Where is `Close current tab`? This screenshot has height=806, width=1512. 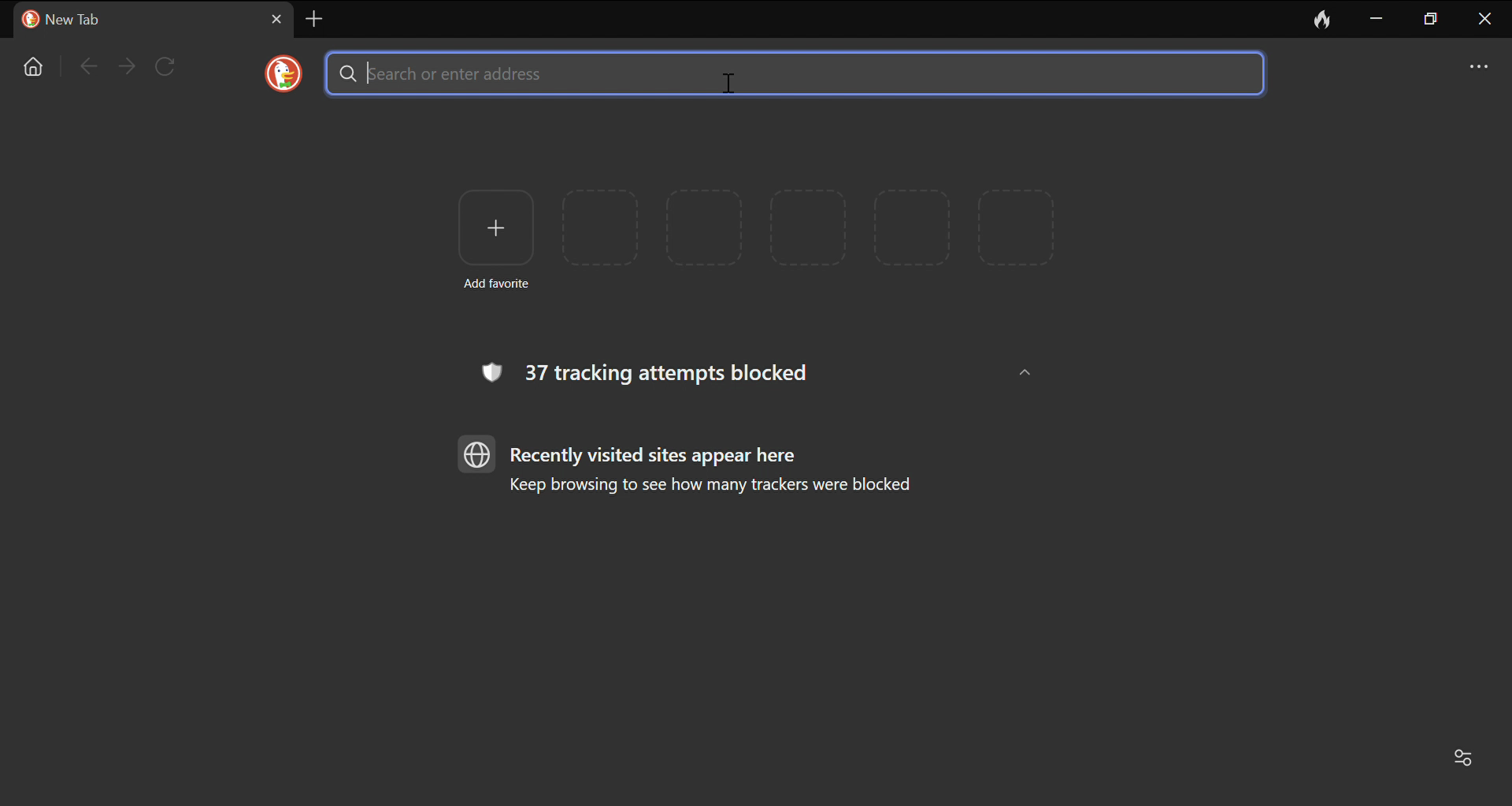
Close current tab is located at coordinates (277, 19).